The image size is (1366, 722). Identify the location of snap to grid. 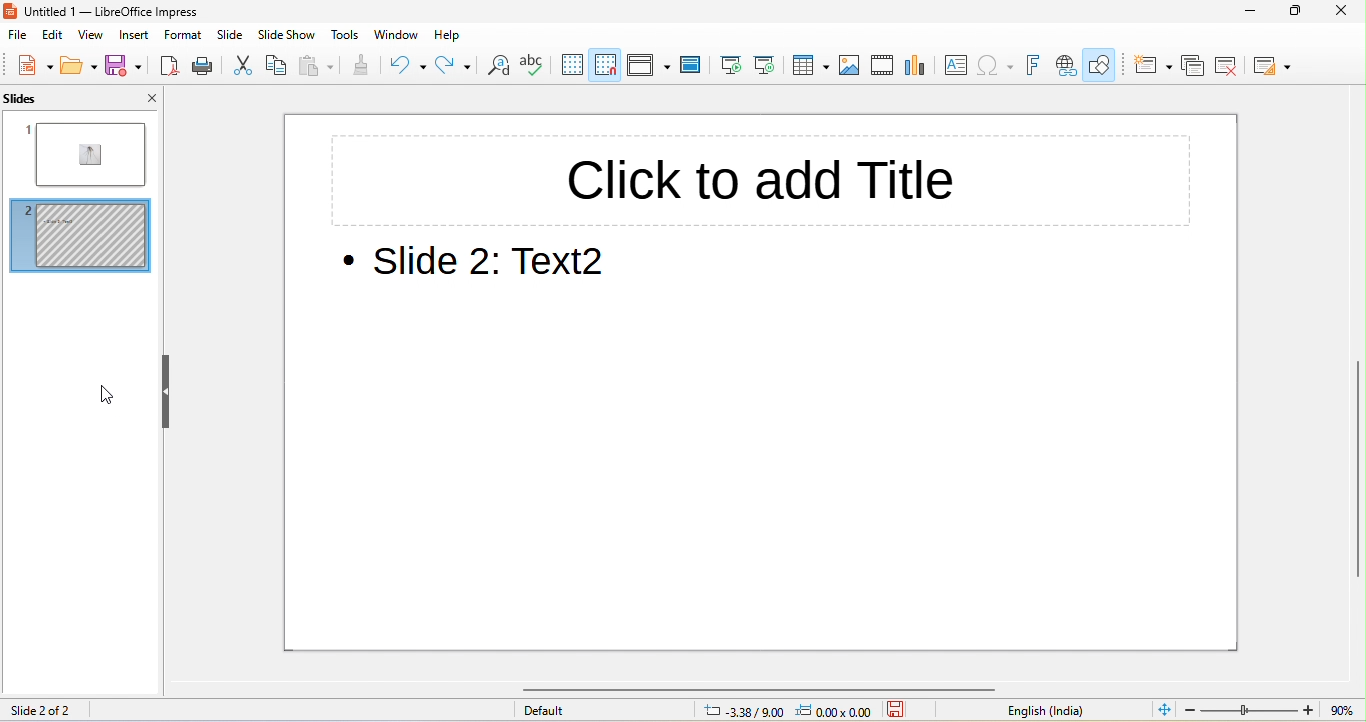
(610, 63).